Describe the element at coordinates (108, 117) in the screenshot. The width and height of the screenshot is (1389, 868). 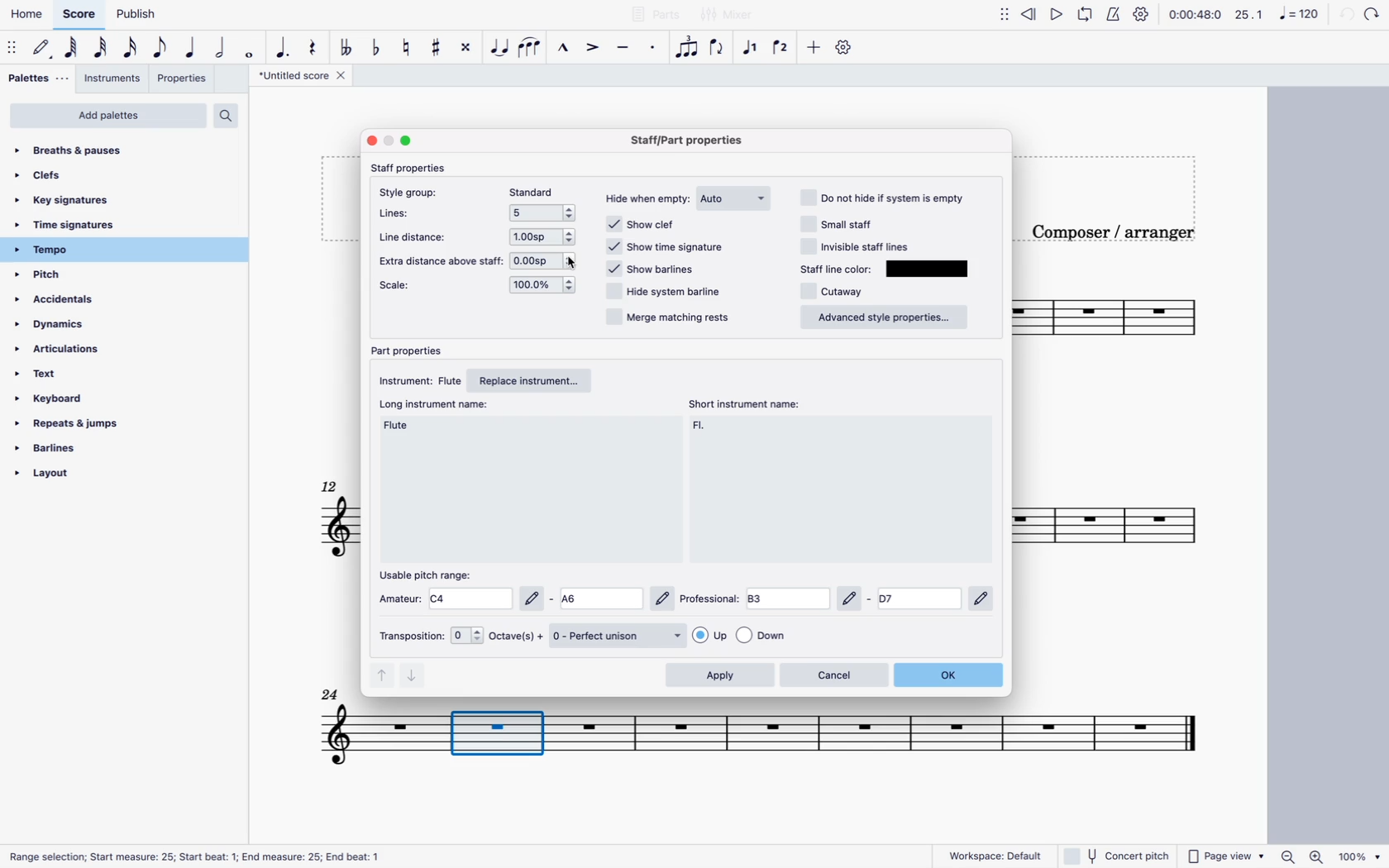
I see `add palettes` at that location.